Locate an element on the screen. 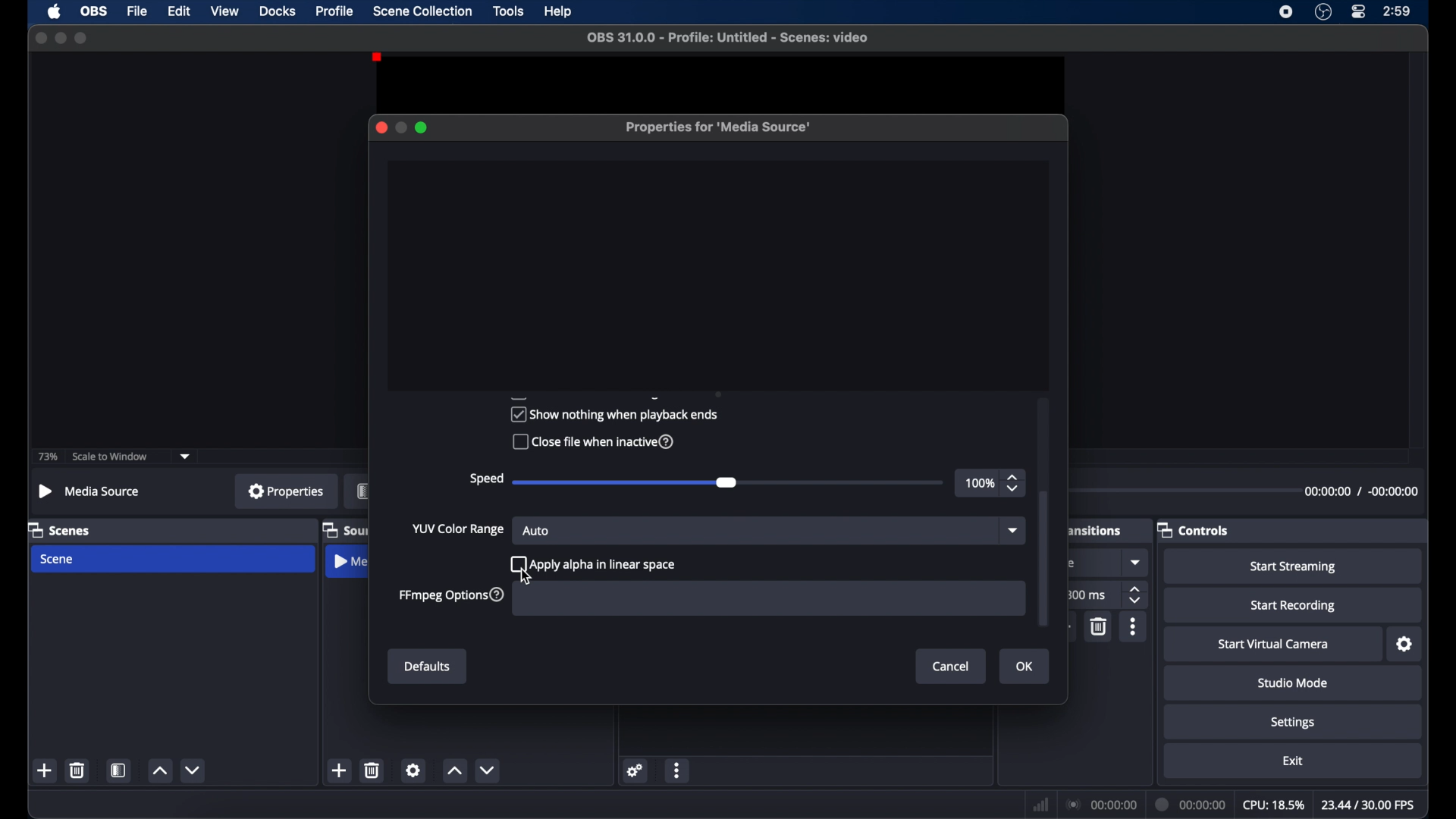  300 ms is located at coordinates (1087, 594).